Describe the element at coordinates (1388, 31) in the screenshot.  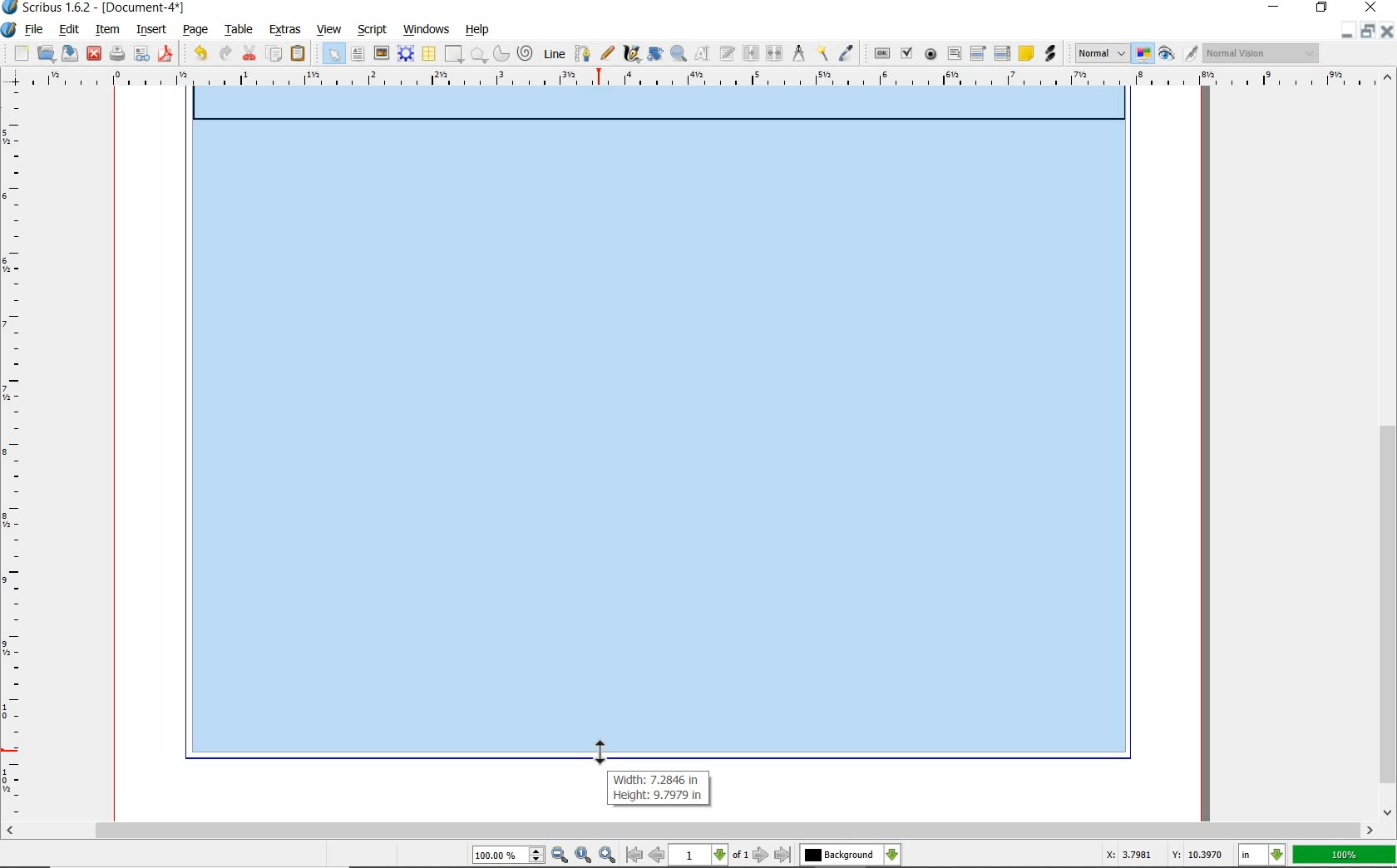
I see `close` at that location.